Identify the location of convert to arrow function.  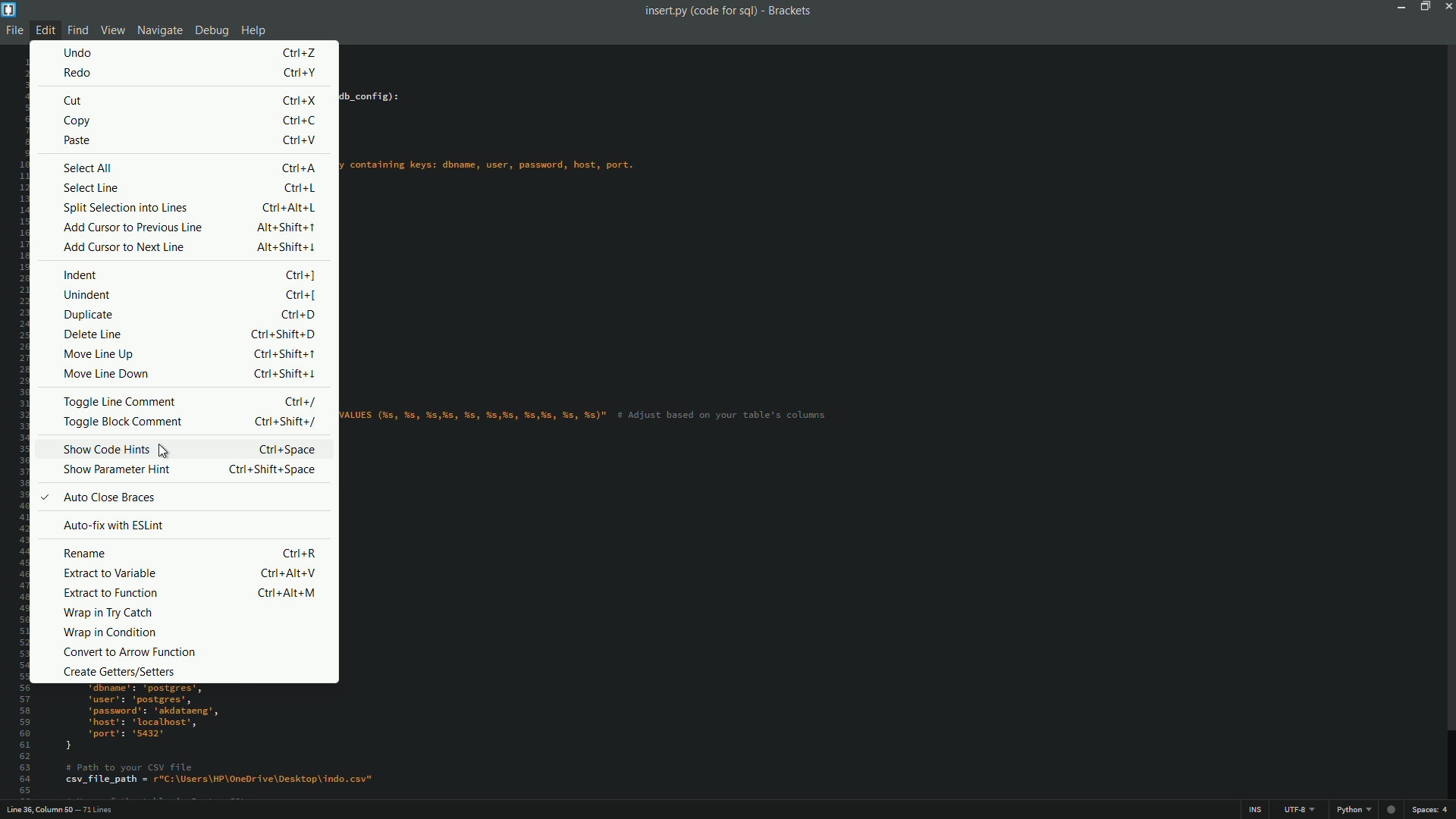
(128, 653).